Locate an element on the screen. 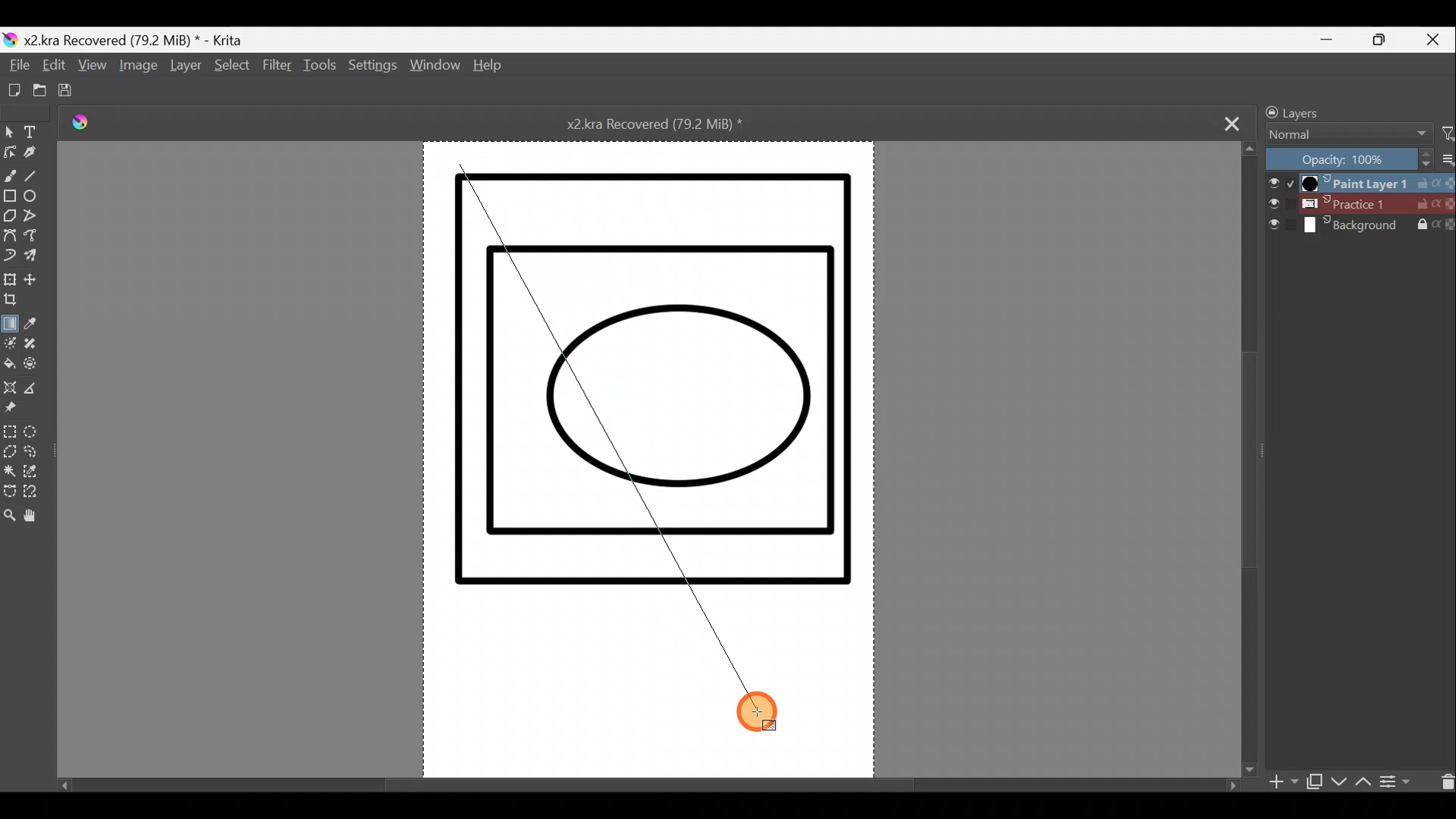 The image size is (1456, 819). Rectangle tool is located at coordinates (9, 198).